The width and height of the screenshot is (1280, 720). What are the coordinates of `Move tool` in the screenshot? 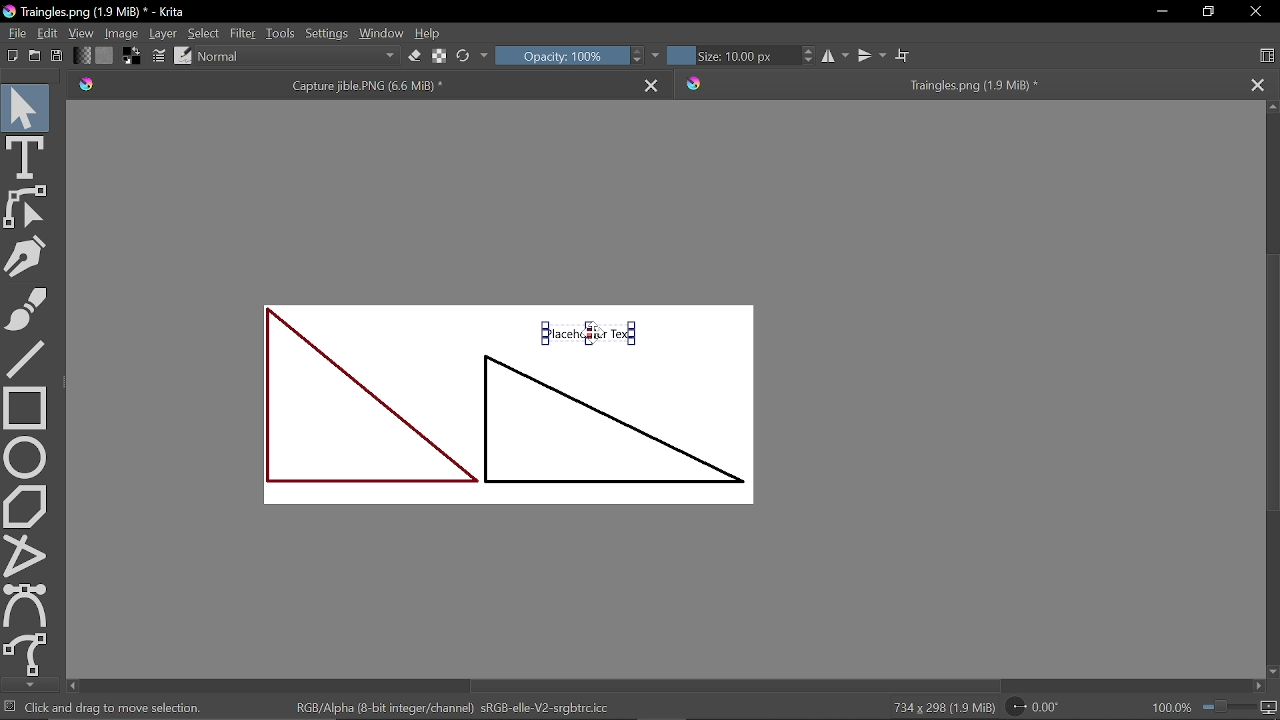 It's located at (25, 104).